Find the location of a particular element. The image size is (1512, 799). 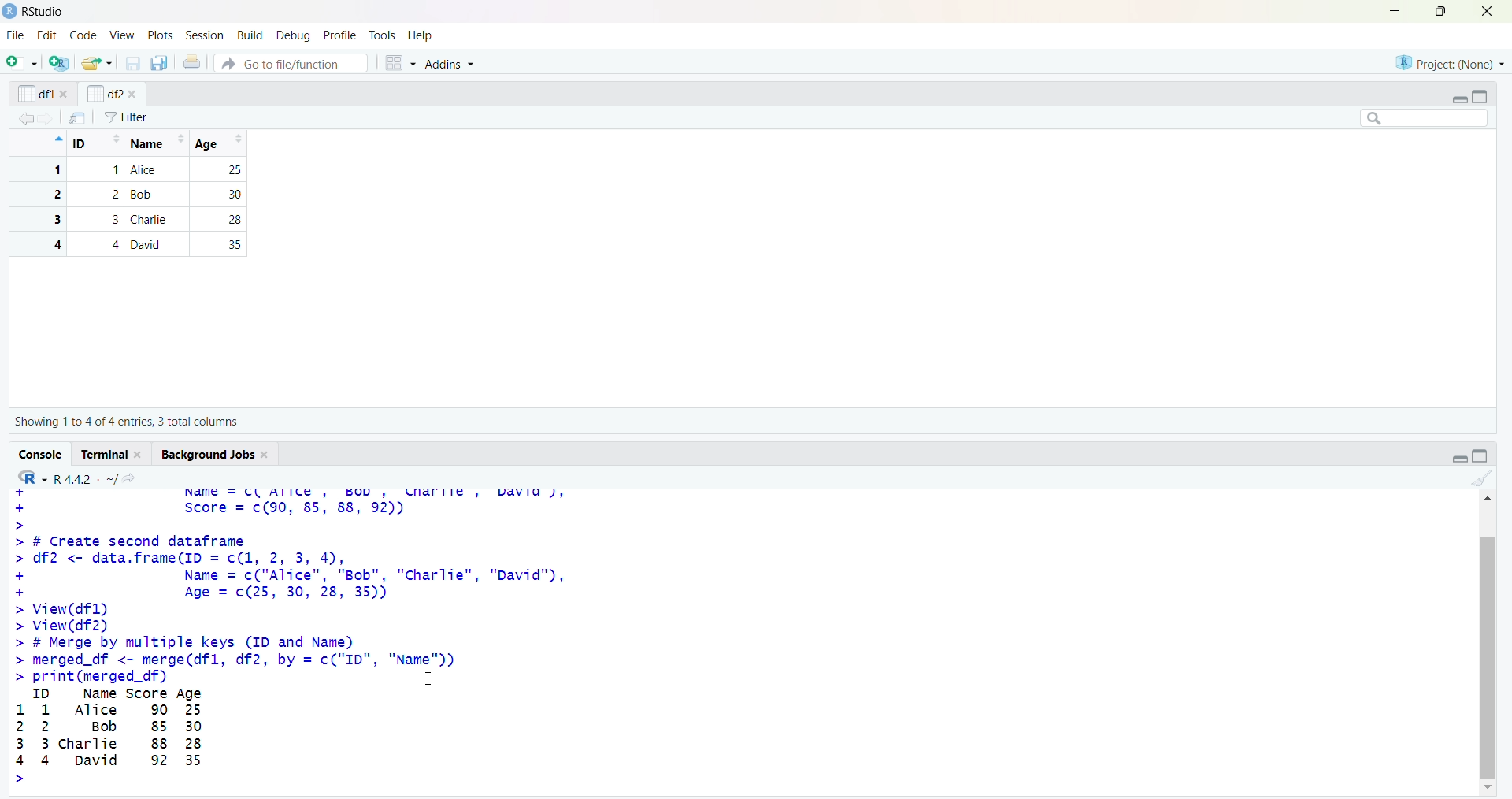

share icon is located at coordinates (130, 478).